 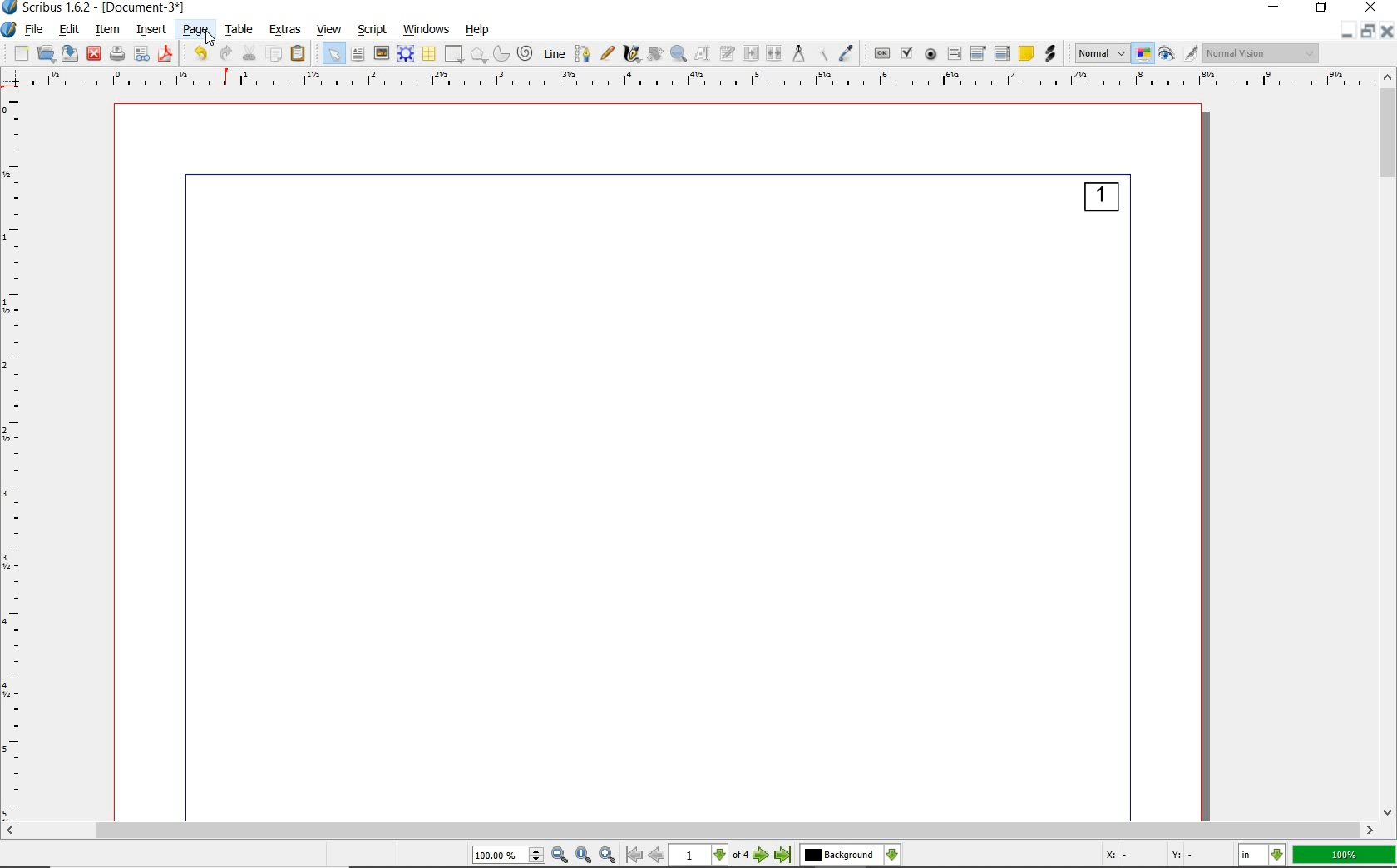 What do you see at coordinates (95, 55) in the screenshot?
I see `close` at bounding box center [95, 55].